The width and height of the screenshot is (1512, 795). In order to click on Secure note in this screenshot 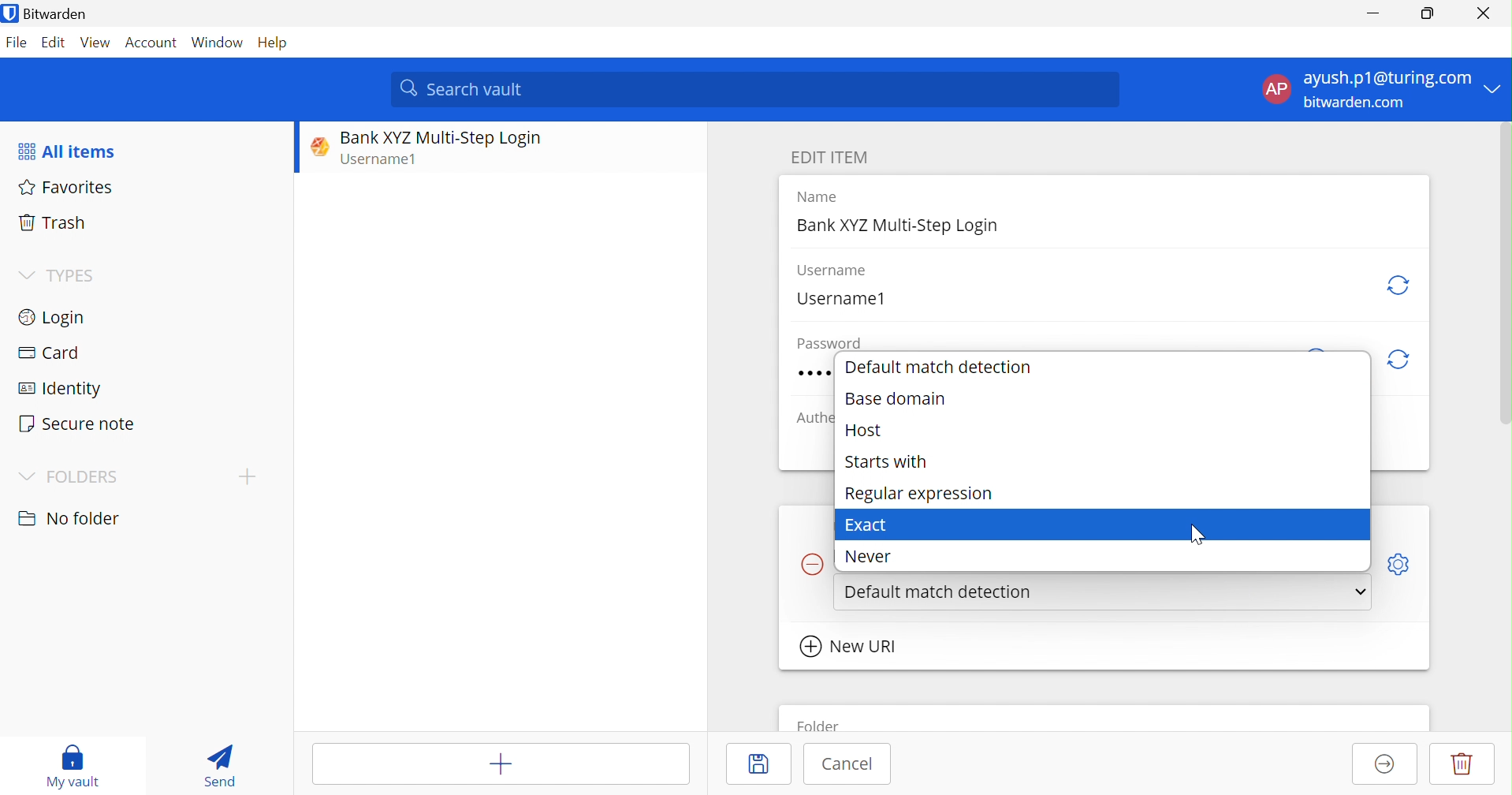, I will do `click(77, 424)`.